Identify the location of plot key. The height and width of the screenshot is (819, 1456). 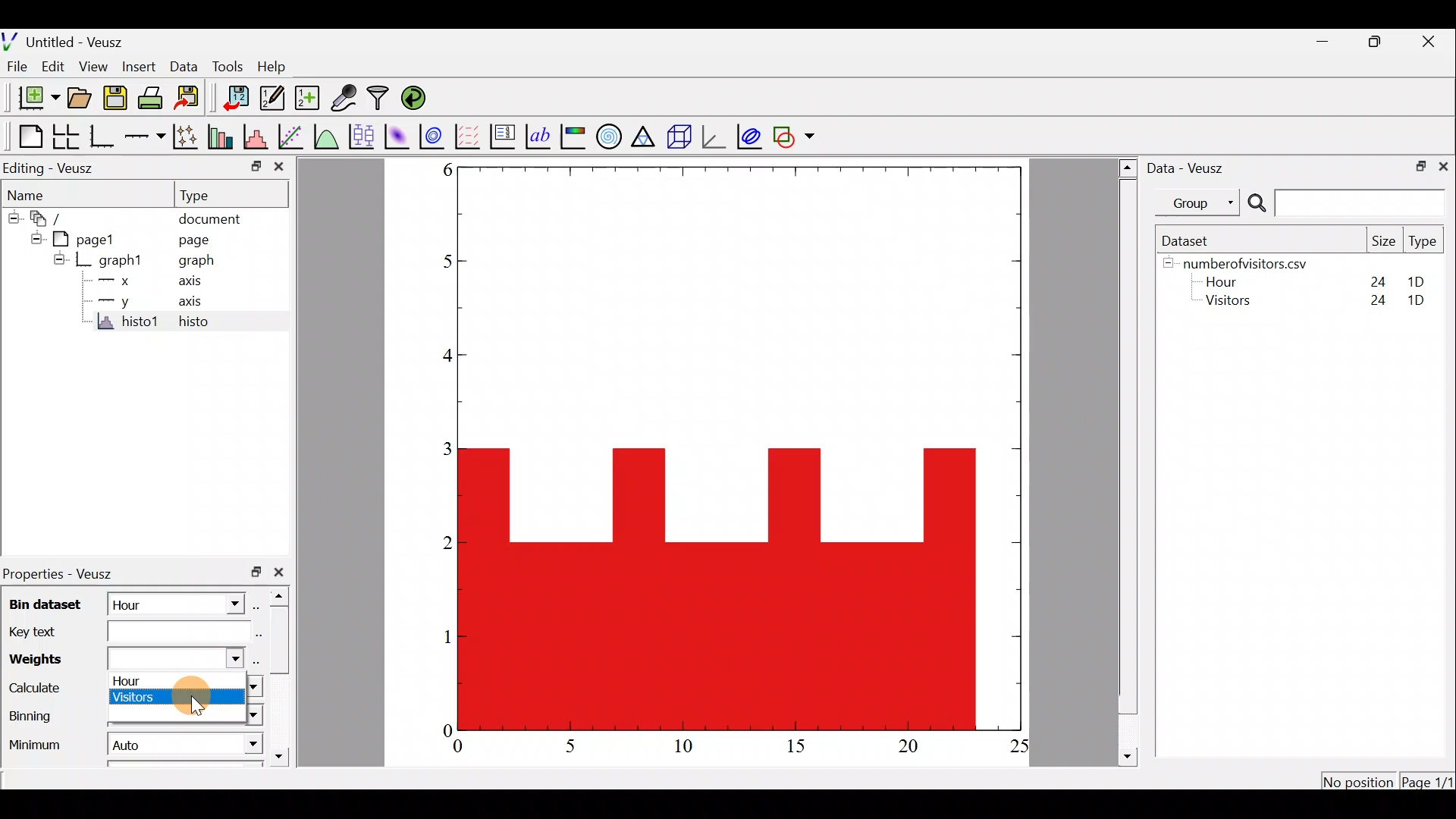
(501, 136).